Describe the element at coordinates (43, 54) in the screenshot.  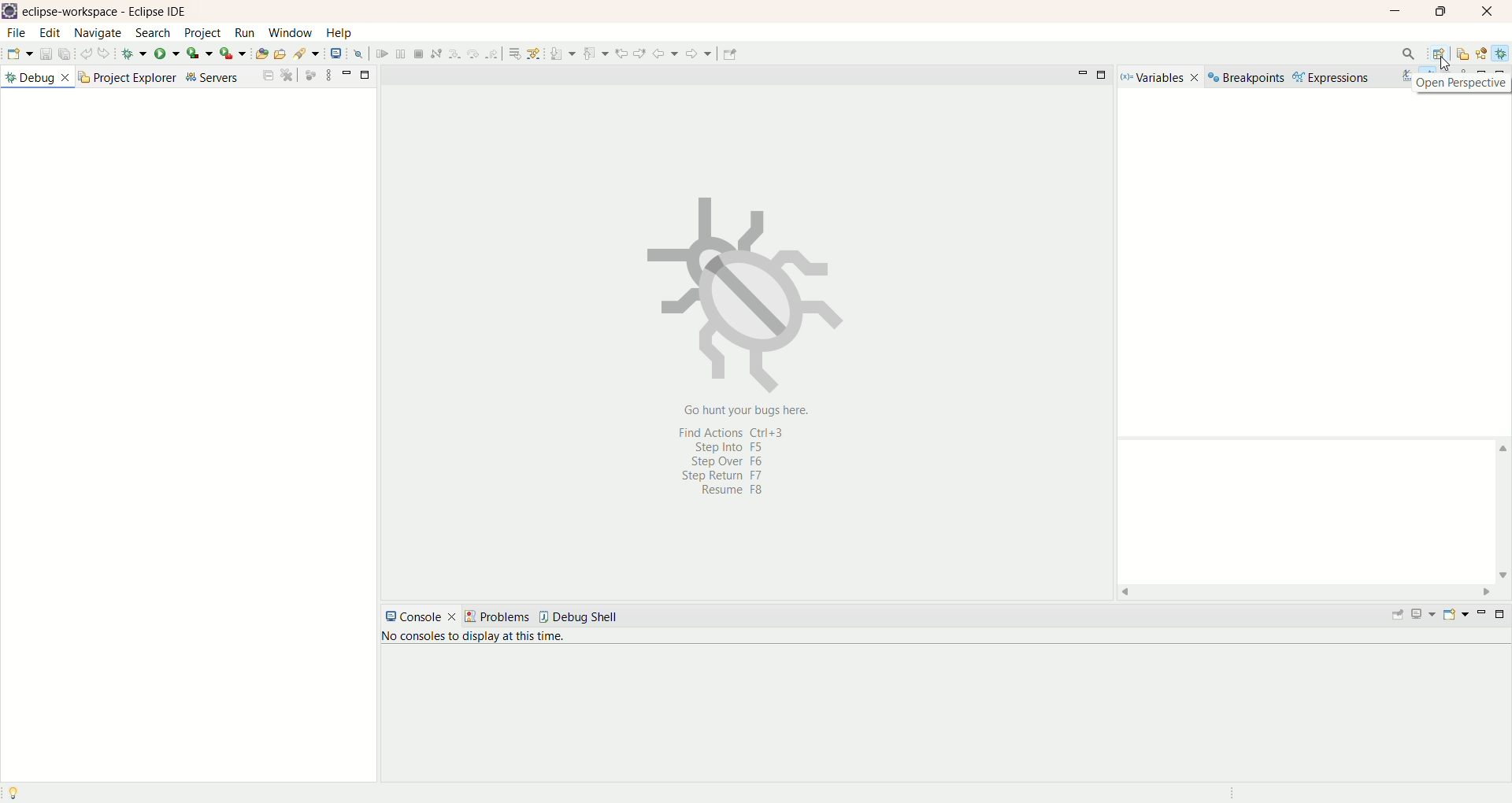
I see `save` at that location.